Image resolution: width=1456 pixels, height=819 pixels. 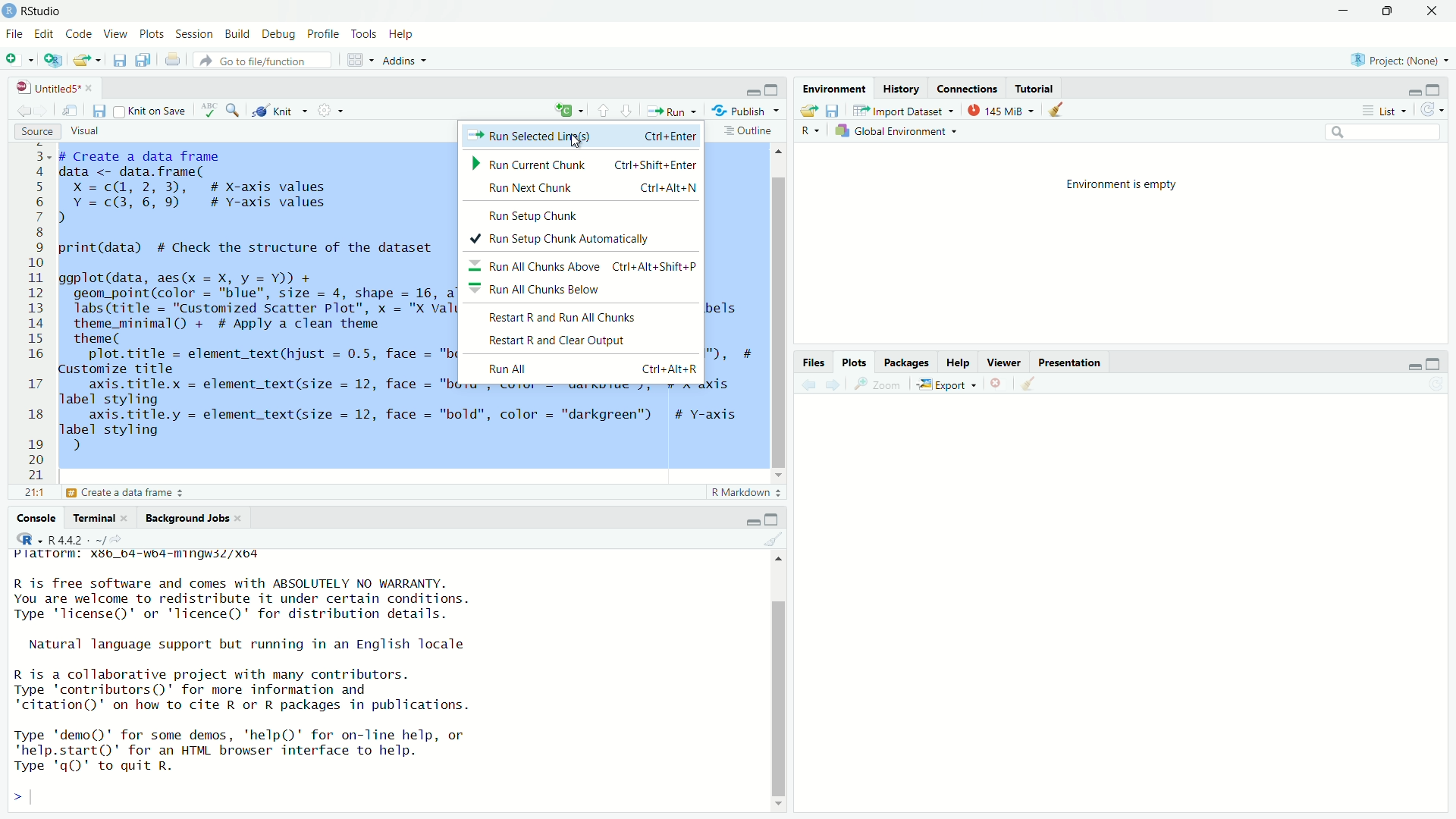 I want to click on Pacakges, so click(x=906, y=364).